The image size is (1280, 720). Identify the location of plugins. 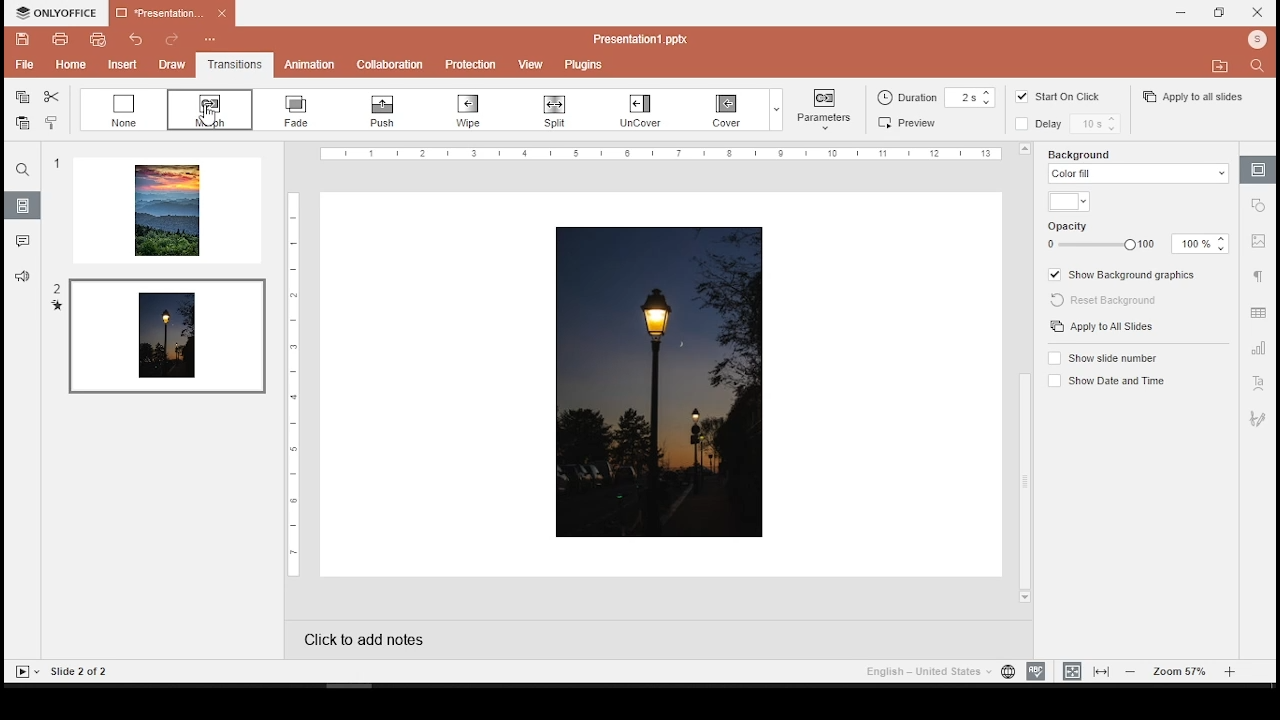
(582, 64).